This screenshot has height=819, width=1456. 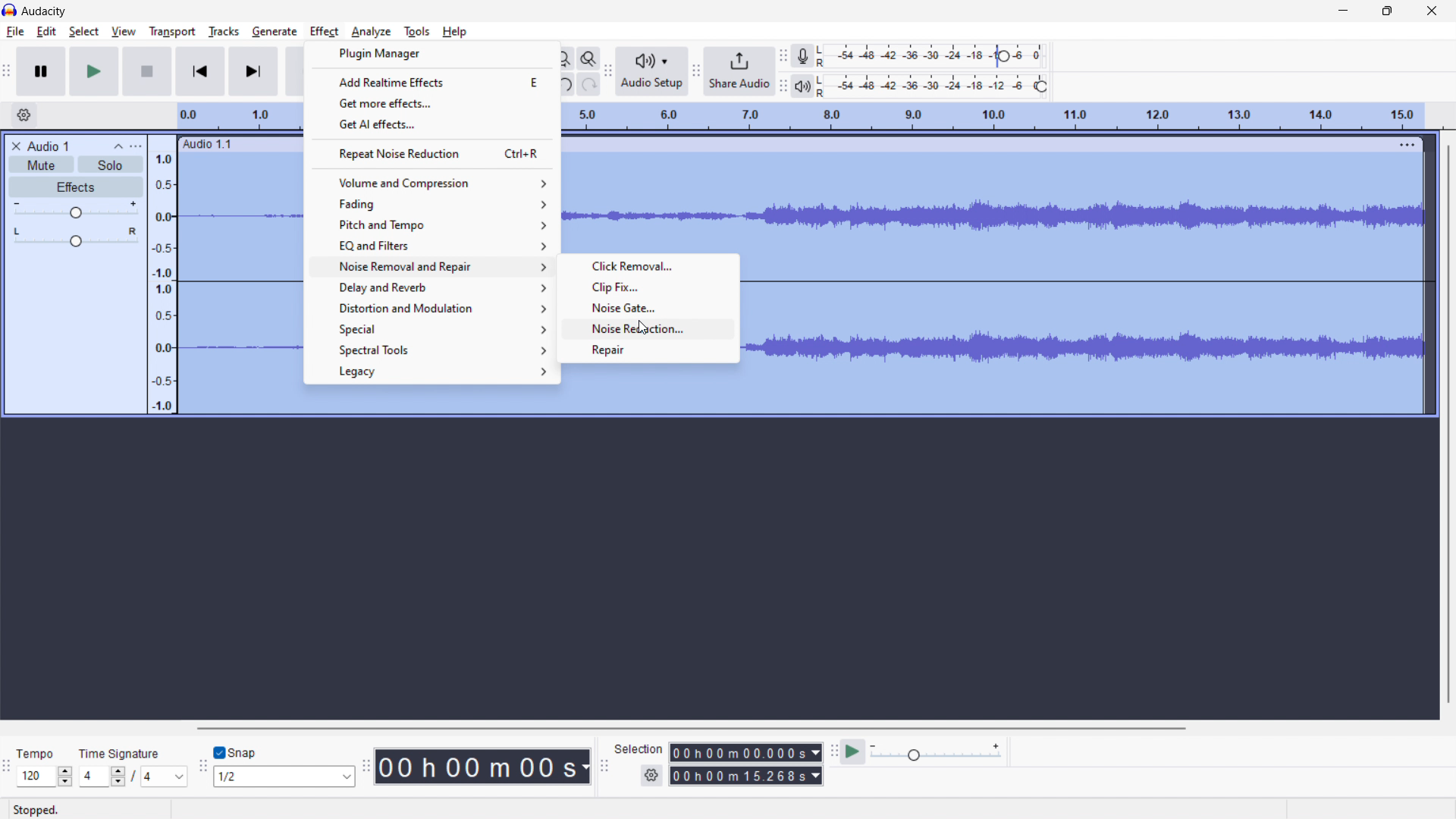 I want to click on noise removal and repair, so click(x=428, y=308).